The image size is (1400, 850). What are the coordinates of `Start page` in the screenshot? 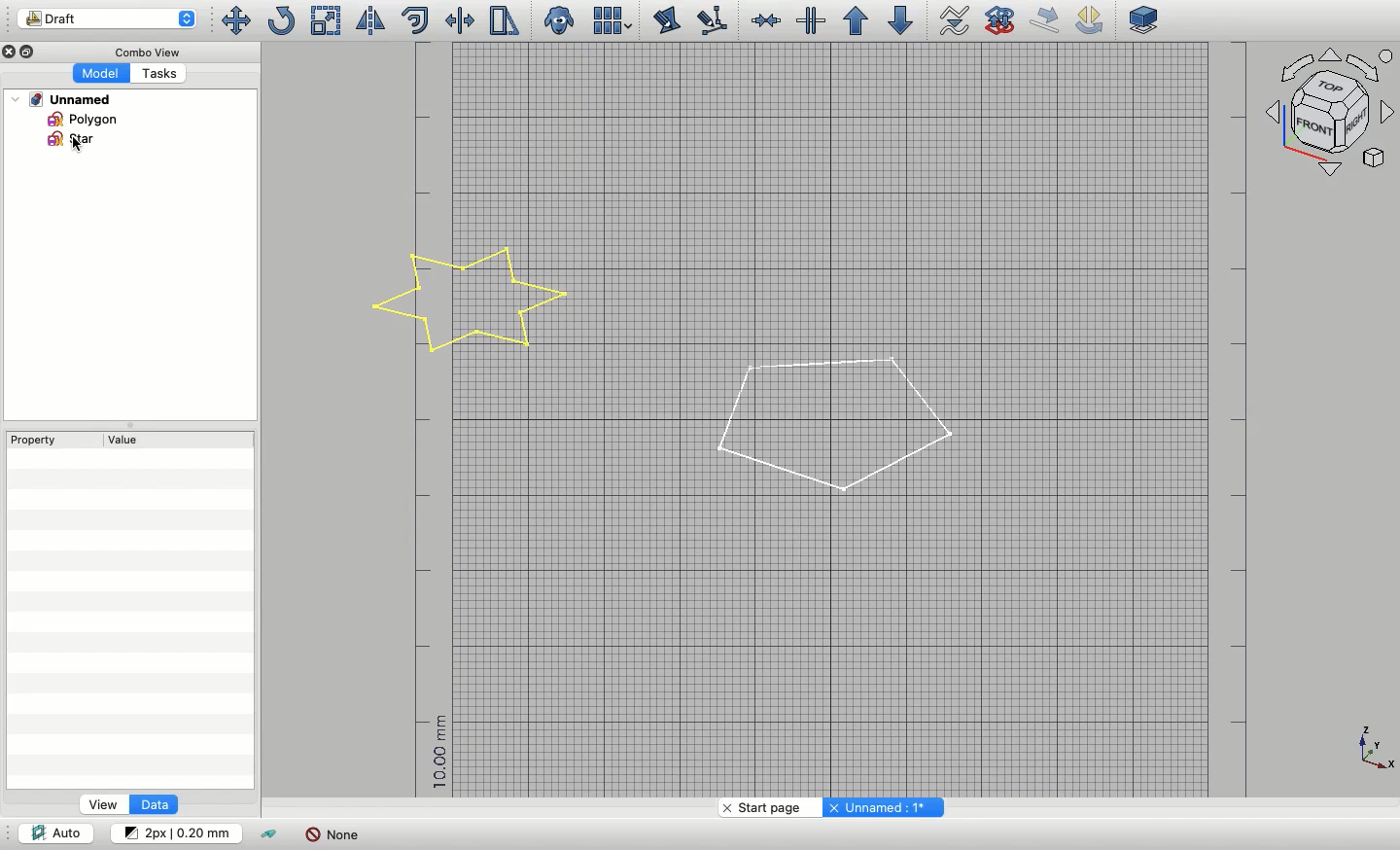 It's located at (766, 807).